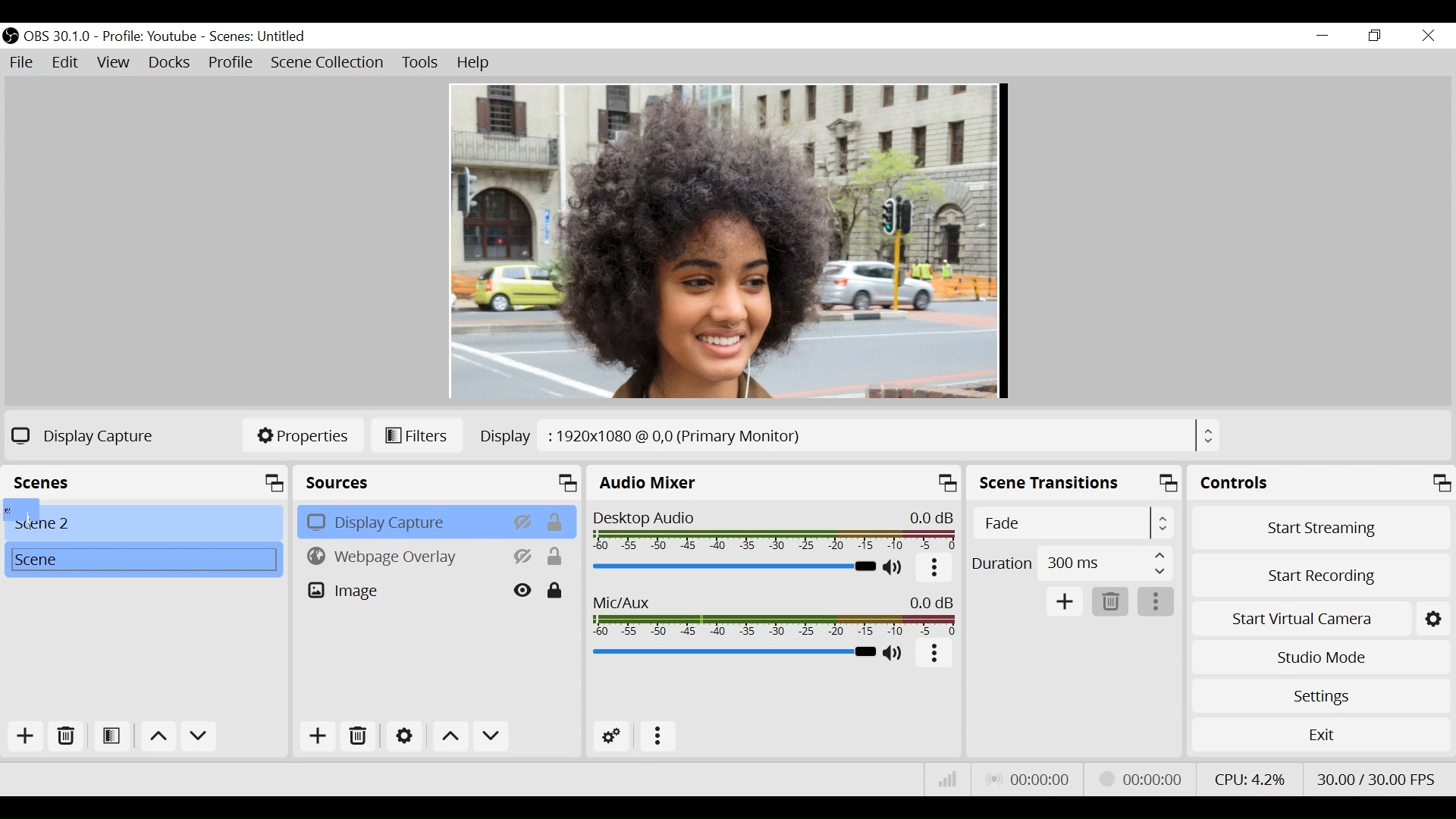  Describe the element at coordinates (171, 63) in the screenshot. I see `Docks` at that location.